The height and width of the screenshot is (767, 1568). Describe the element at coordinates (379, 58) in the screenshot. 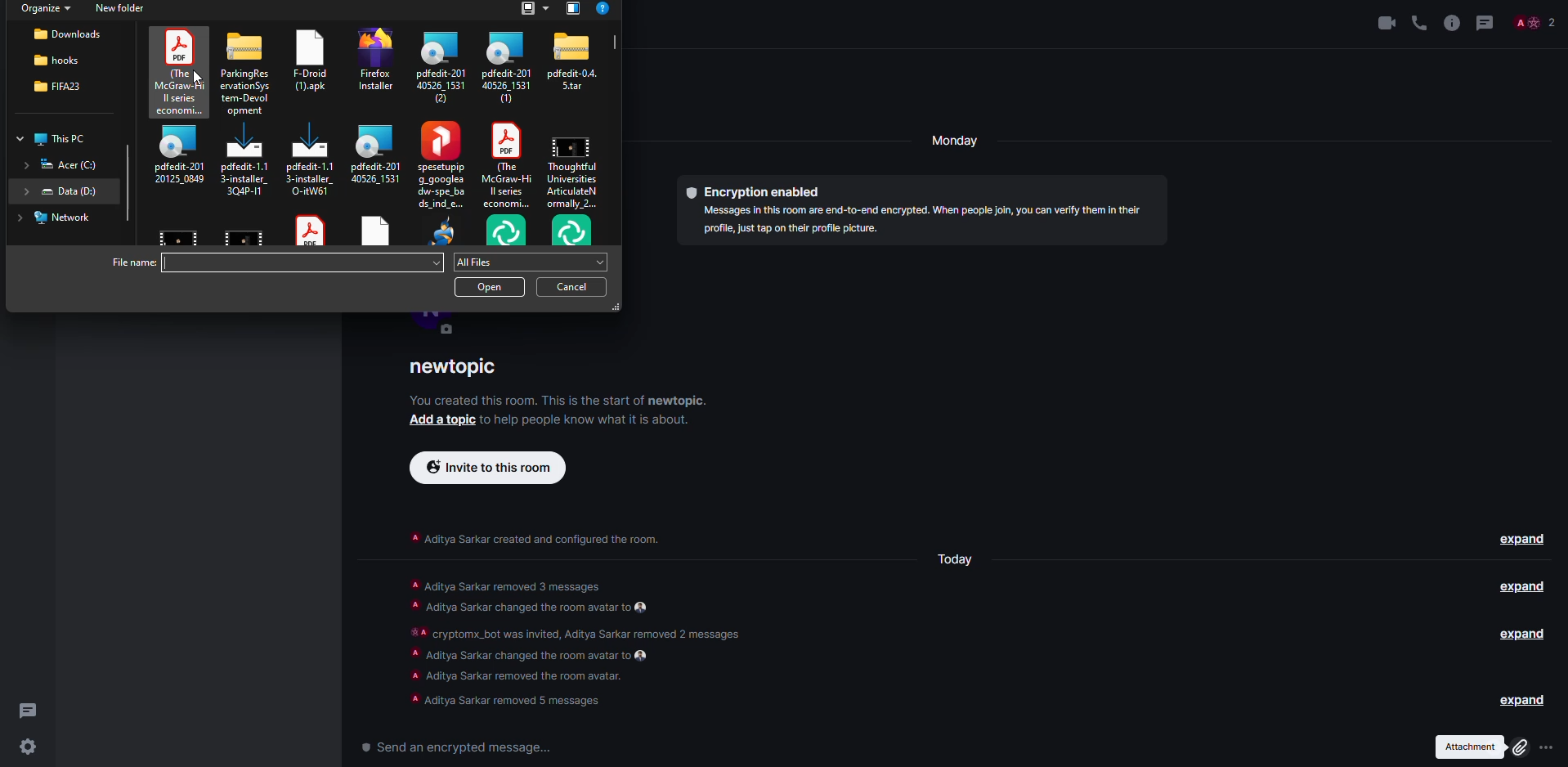

I see `file` at that location.